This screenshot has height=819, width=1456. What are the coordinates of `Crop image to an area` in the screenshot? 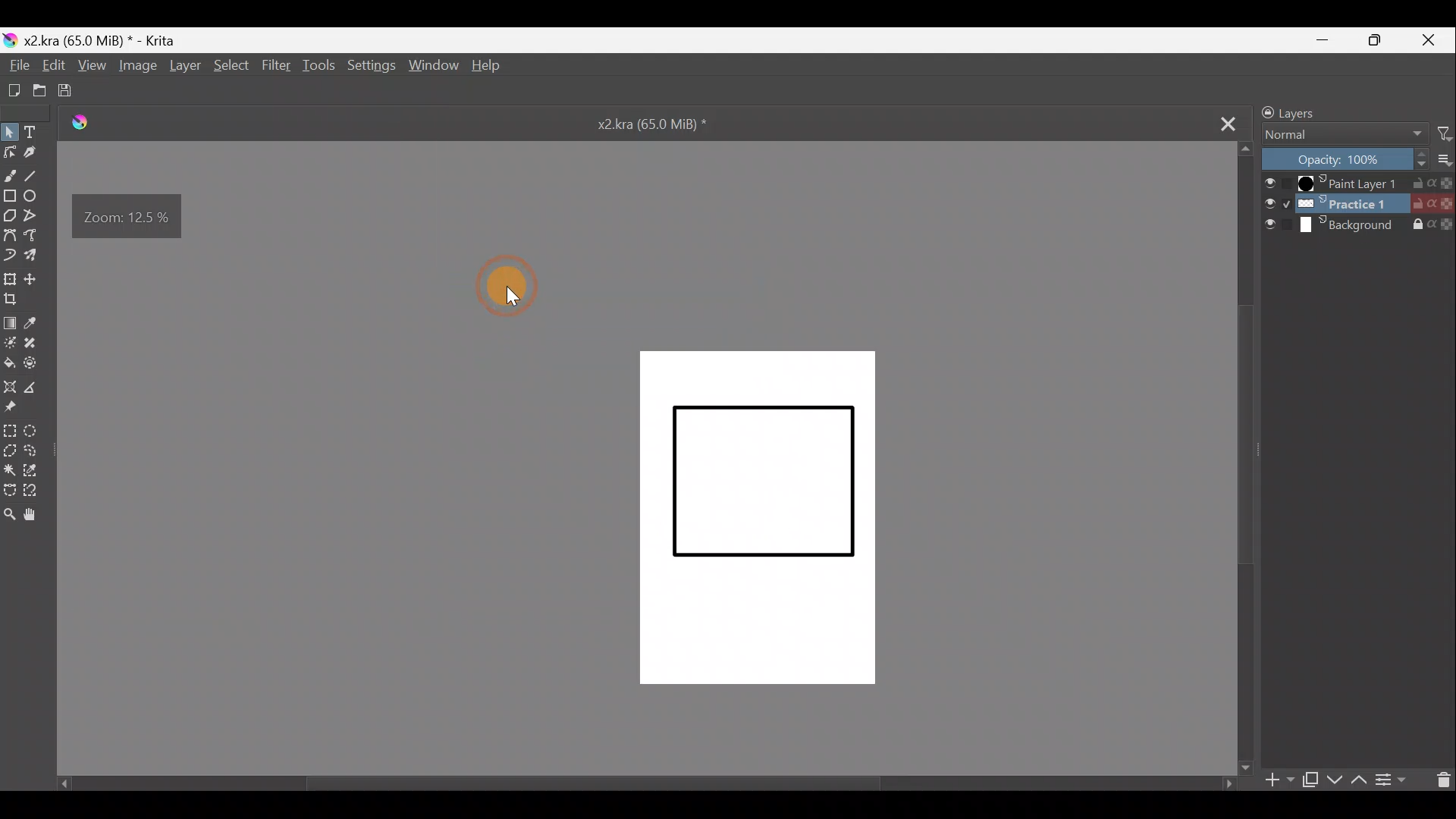 It's located at (15, 303).